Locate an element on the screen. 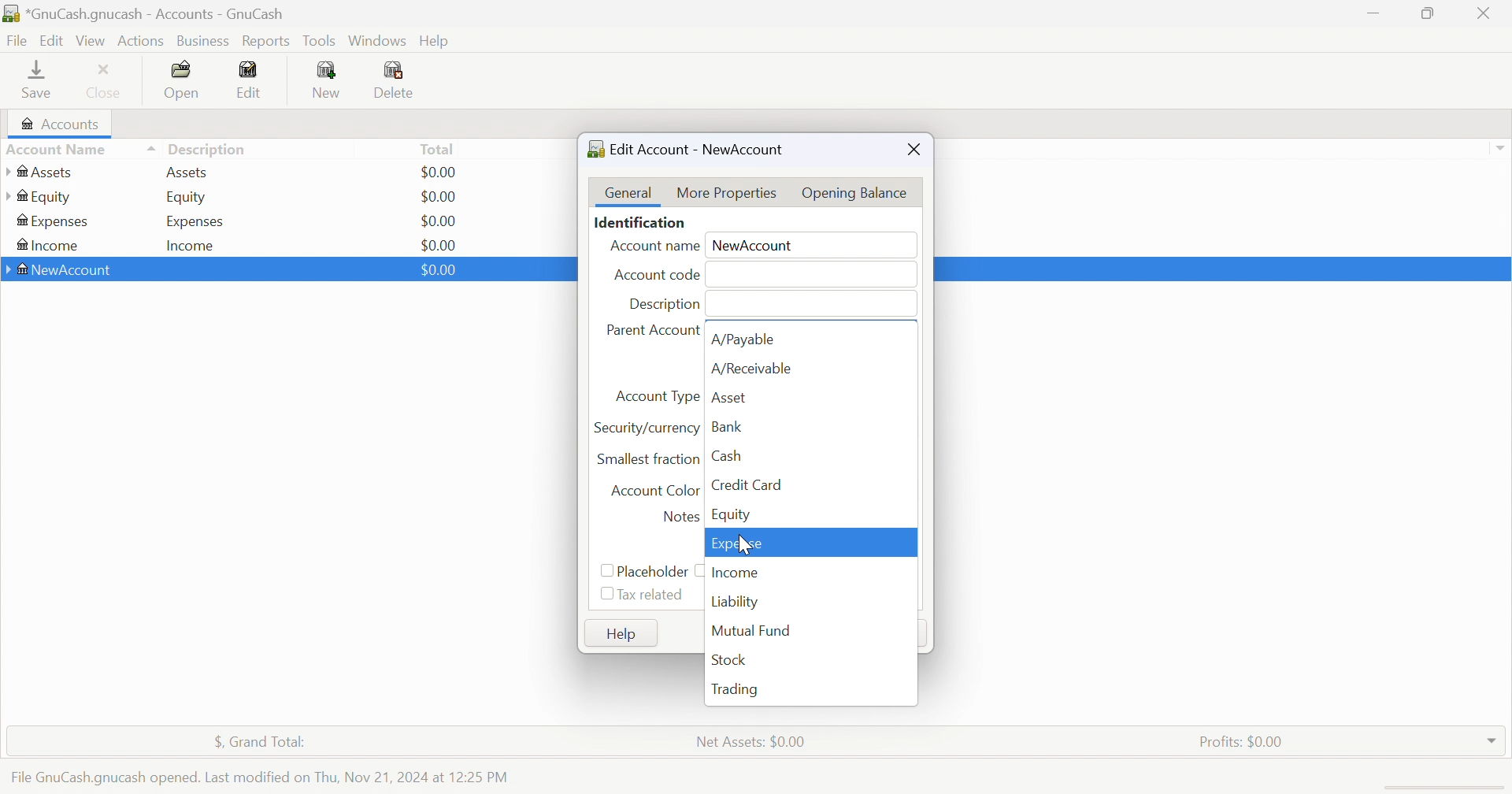 This screenshot has height=794, width=1512. Net Assets: $0.00 is located at coordinates (750, 742).